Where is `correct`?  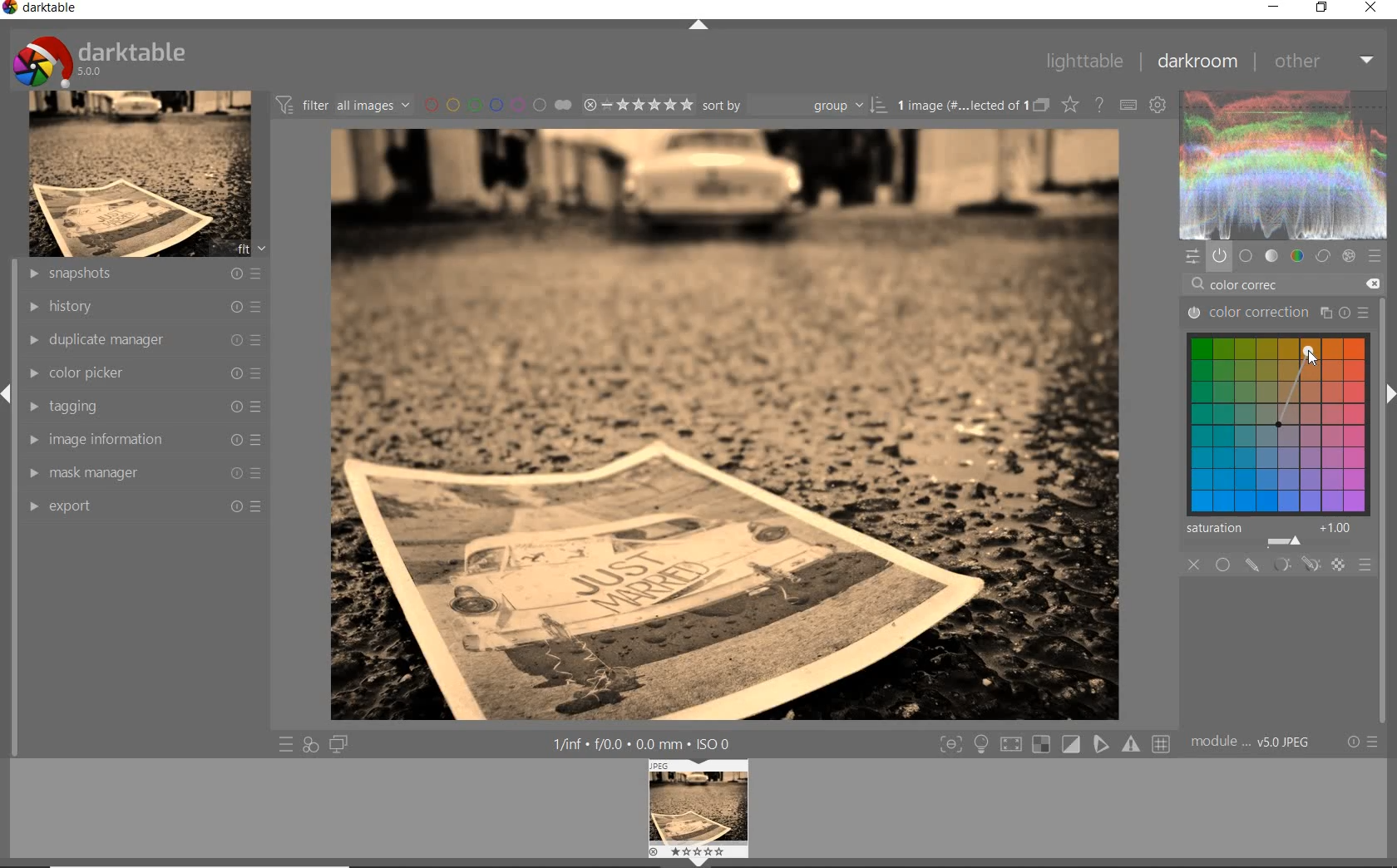 correct is located at coordinates (1323, 256).